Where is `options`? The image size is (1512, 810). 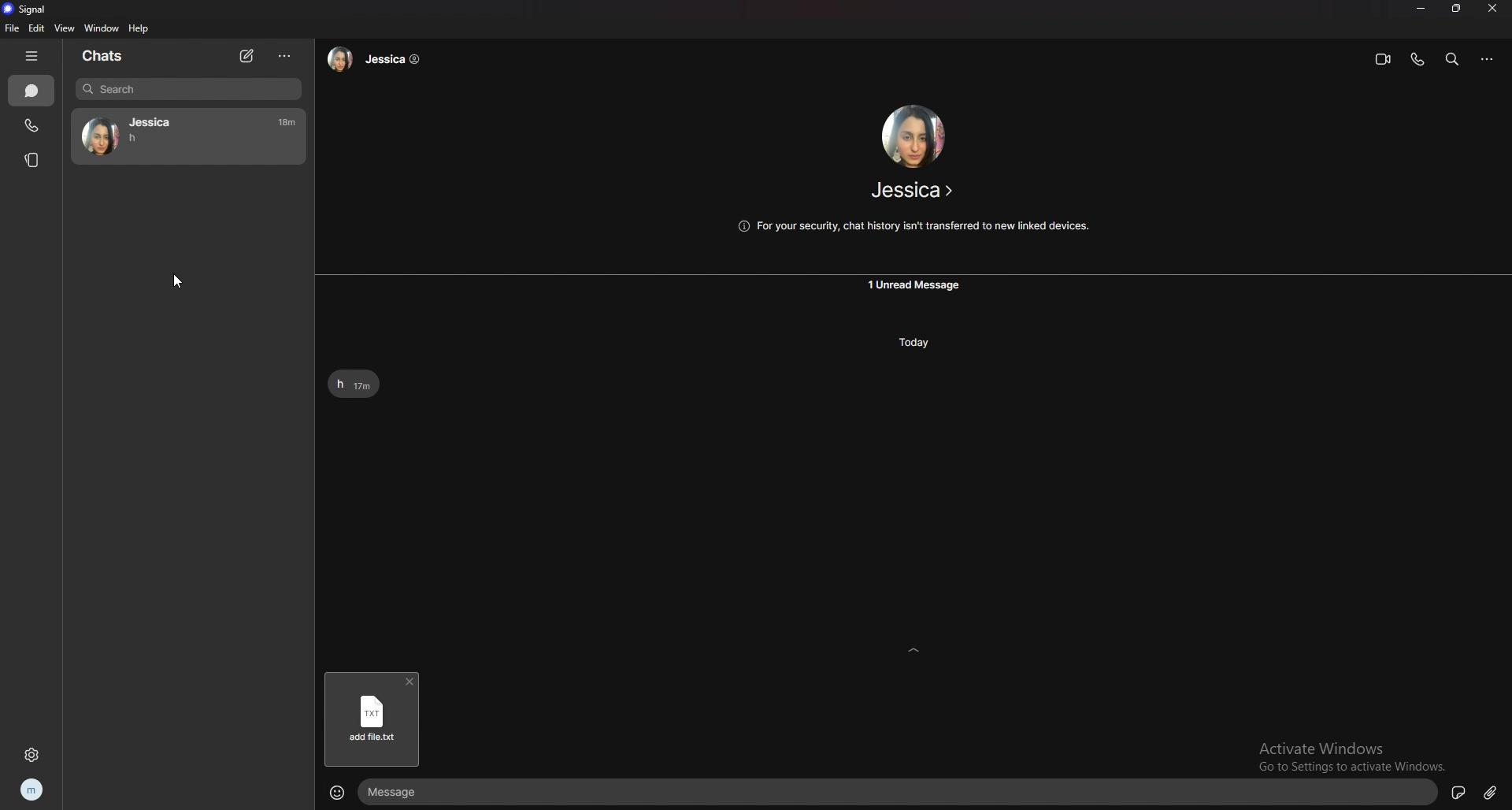 options is located at coordinates (1488, 59).